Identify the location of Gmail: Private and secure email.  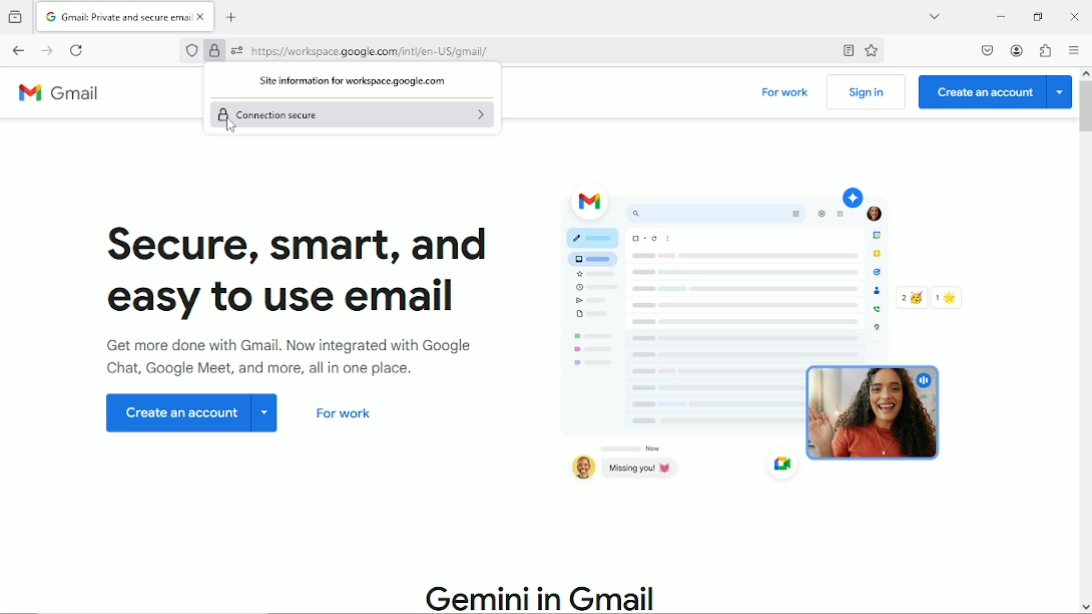
(116, 16).